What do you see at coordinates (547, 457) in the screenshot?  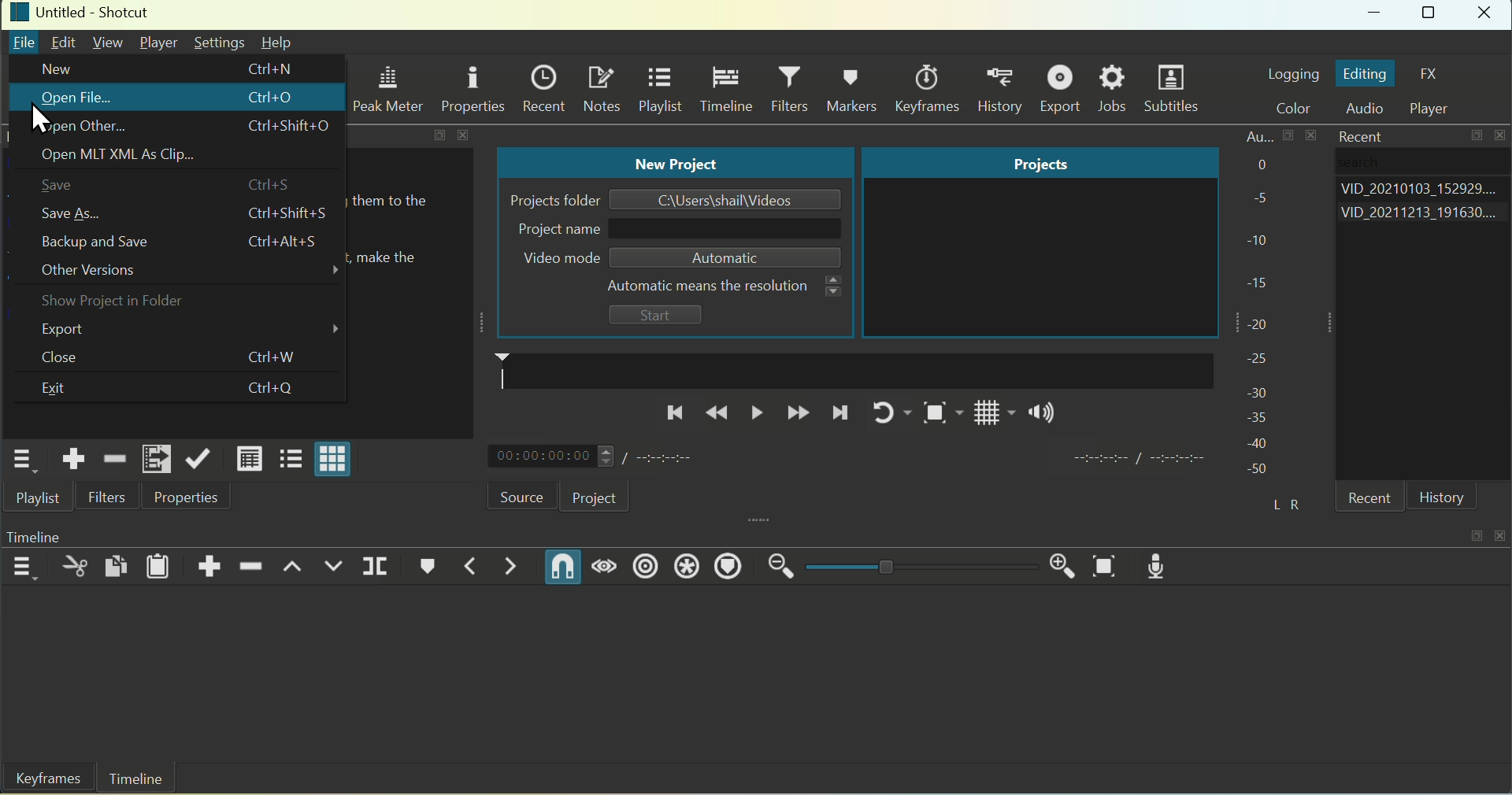 I see `00:00:00:00` at bounding box center [547, 457].